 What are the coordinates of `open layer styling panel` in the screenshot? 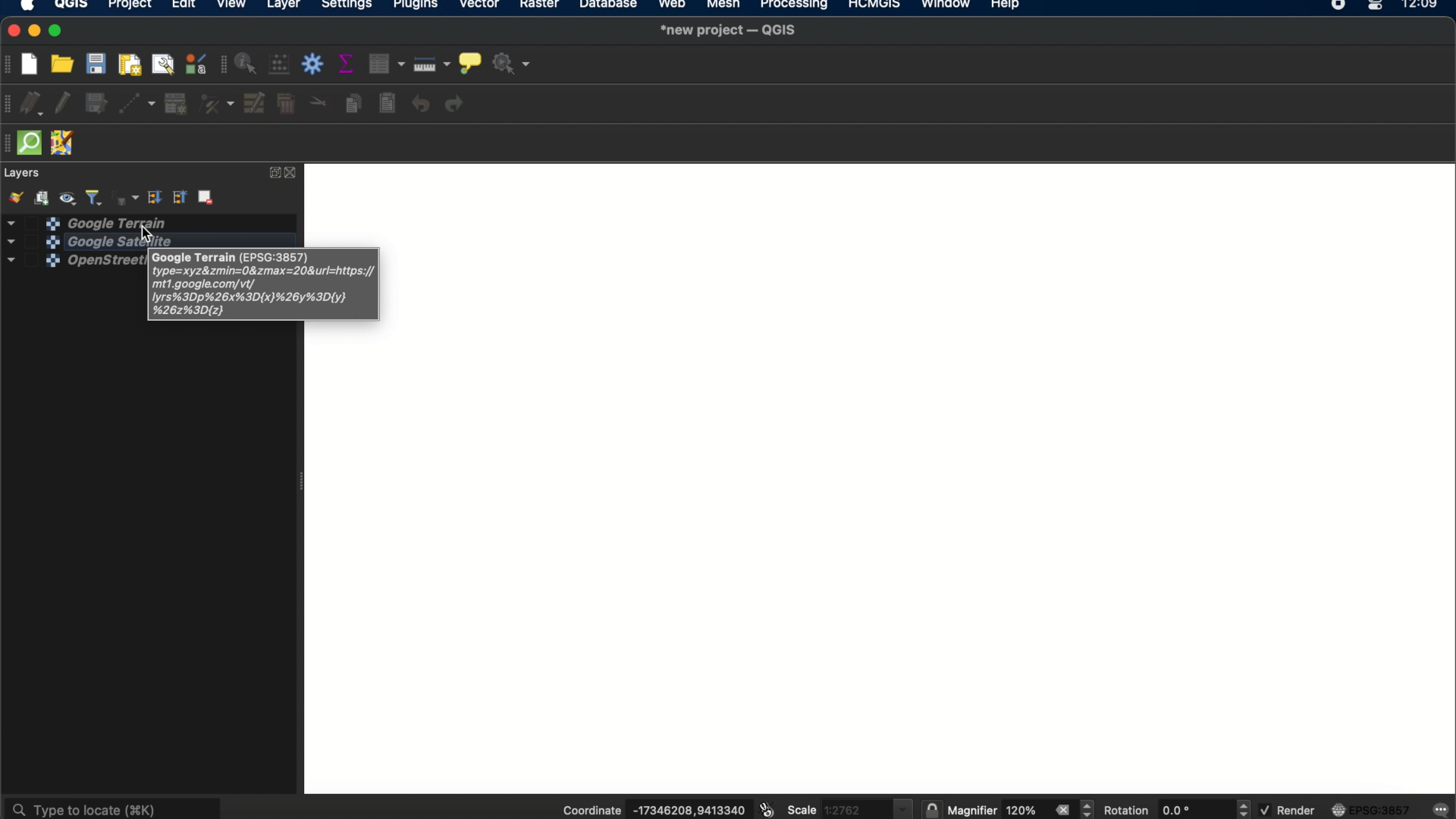 It's located at (14, 197).